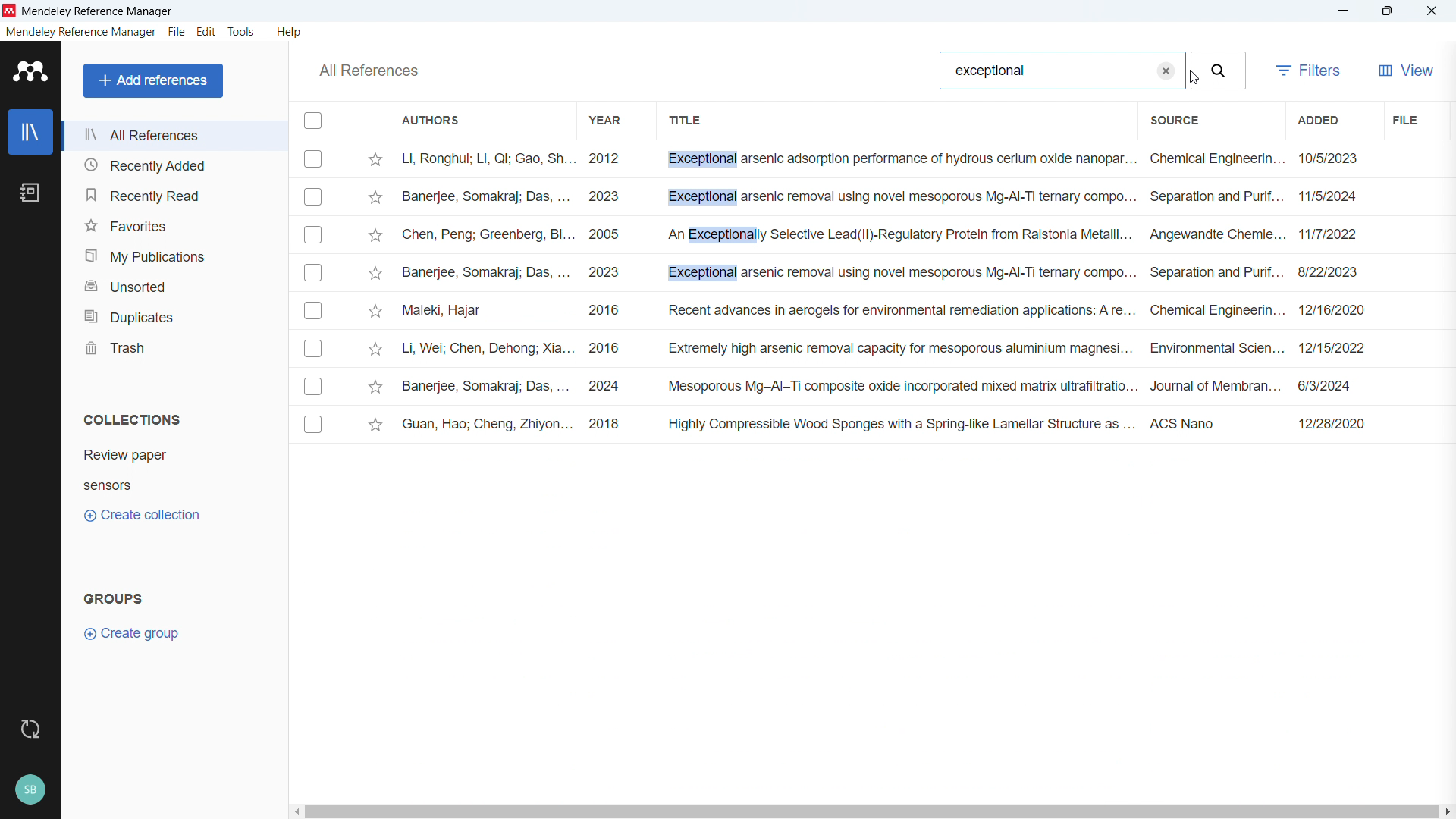 This screenshot has width=1456, height=819. Describe the element at coordinates (173, 345) in the screenshot. I see `Trash ` at that location.